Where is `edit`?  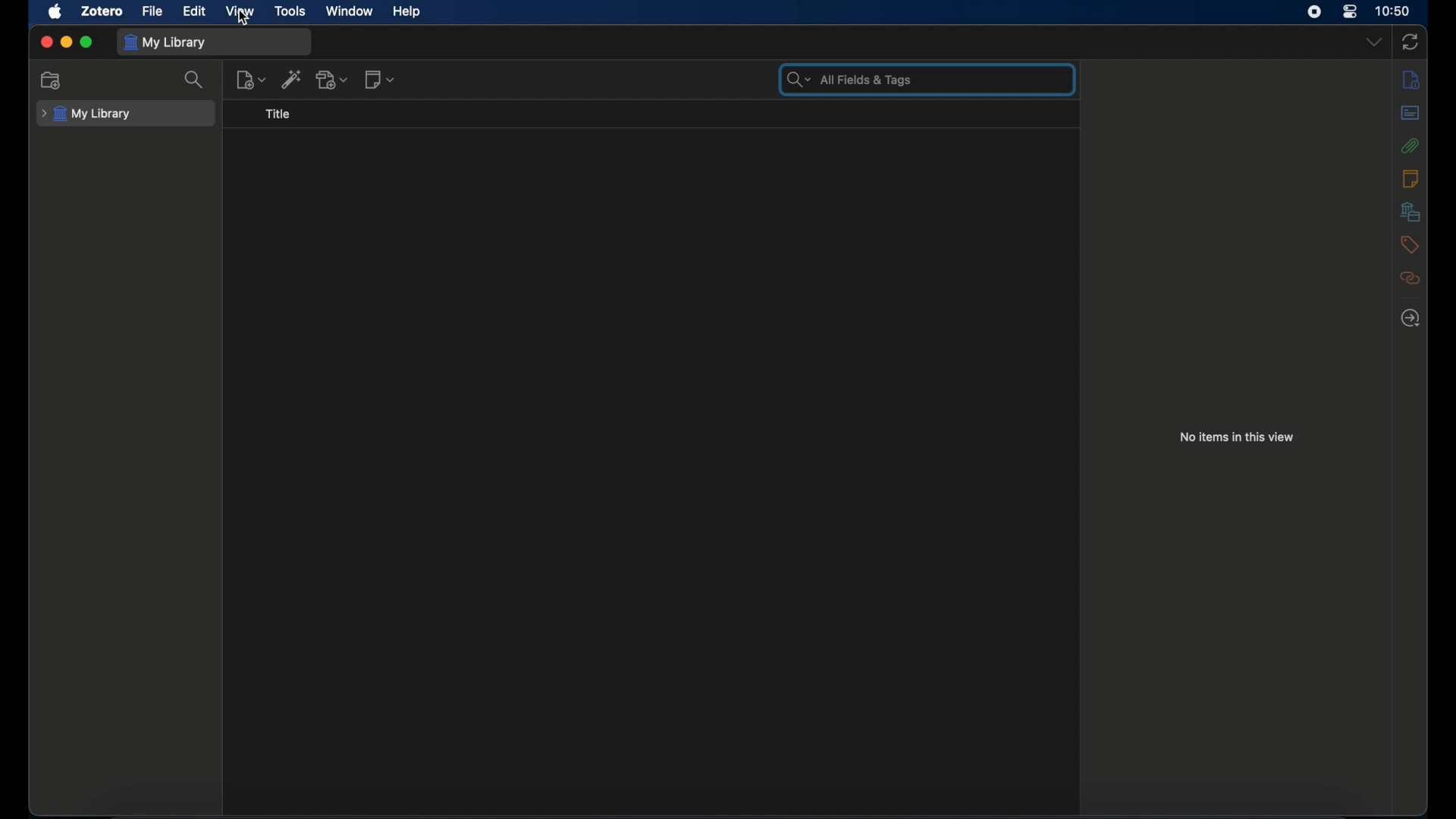 edit is located at coordinates (195, 11).